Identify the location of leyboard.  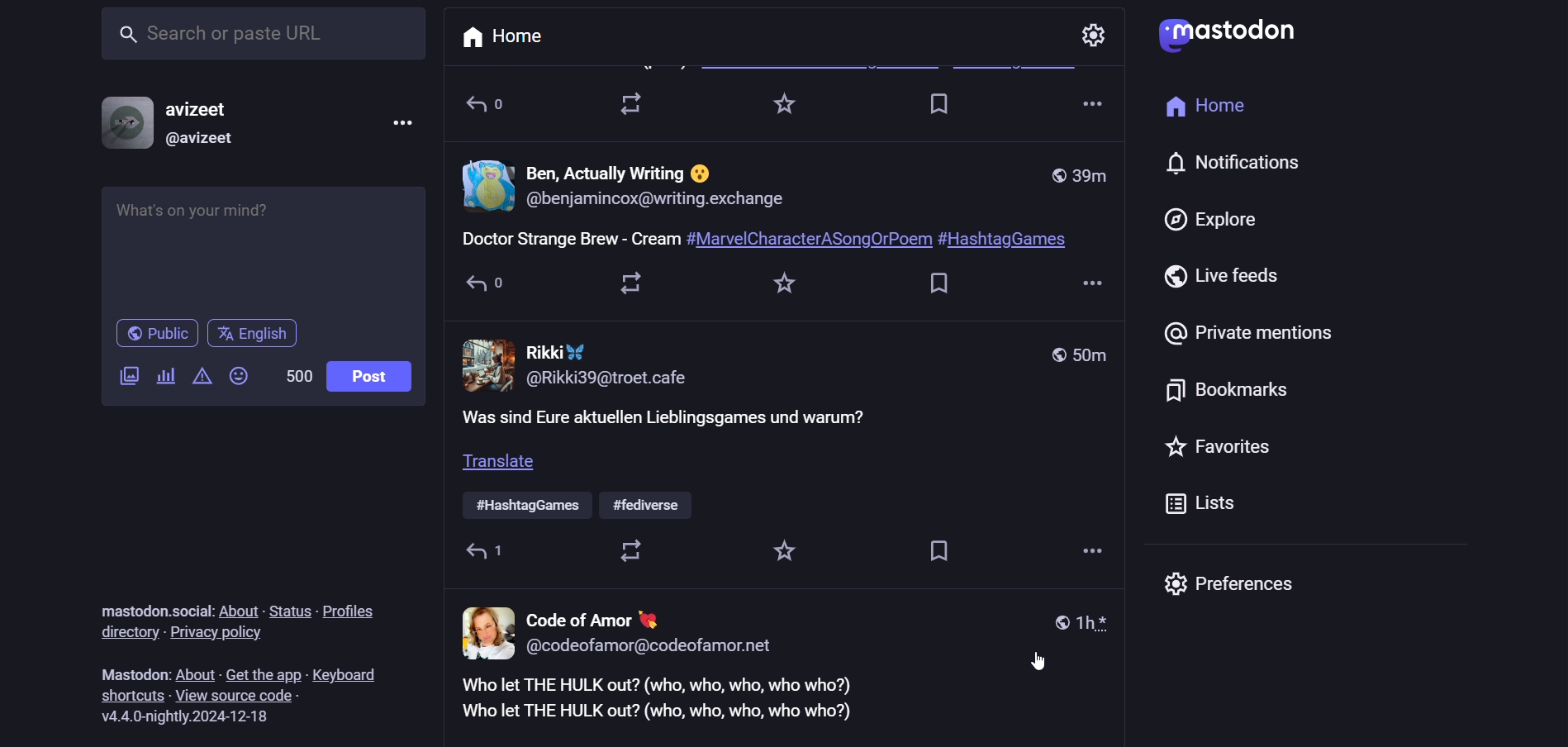
(349, 668).